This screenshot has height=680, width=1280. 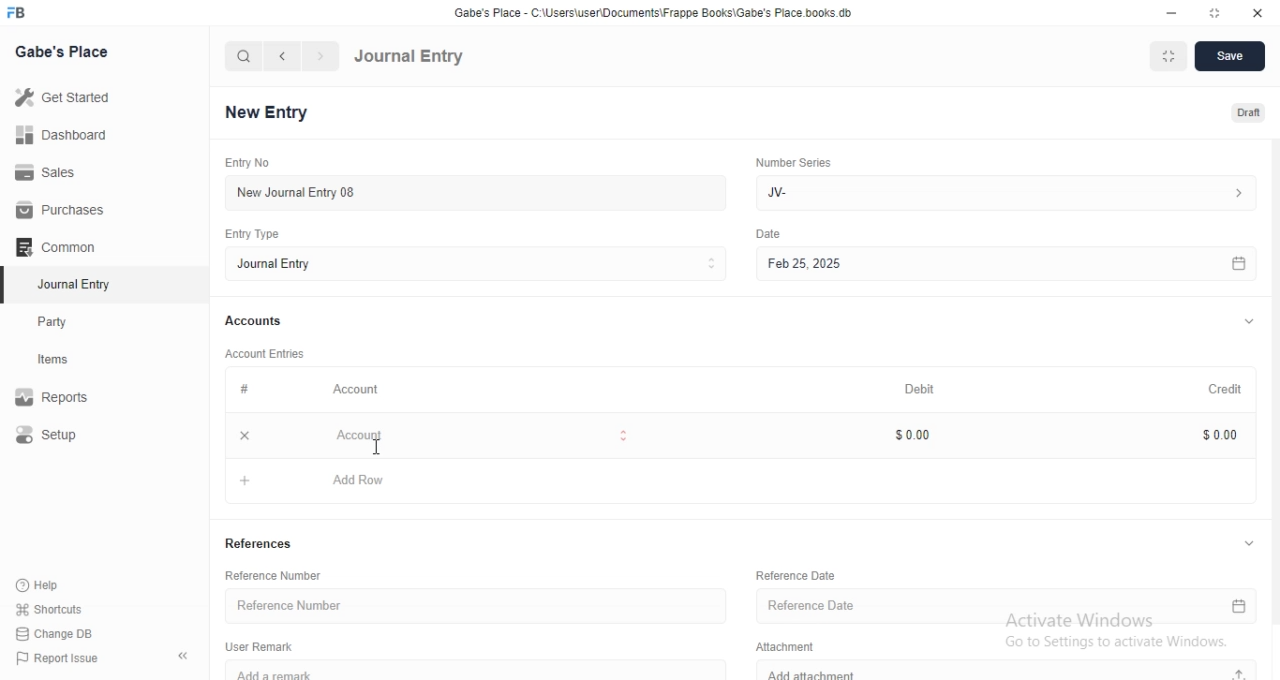 I want to click on #, so click(x=243, y=390).